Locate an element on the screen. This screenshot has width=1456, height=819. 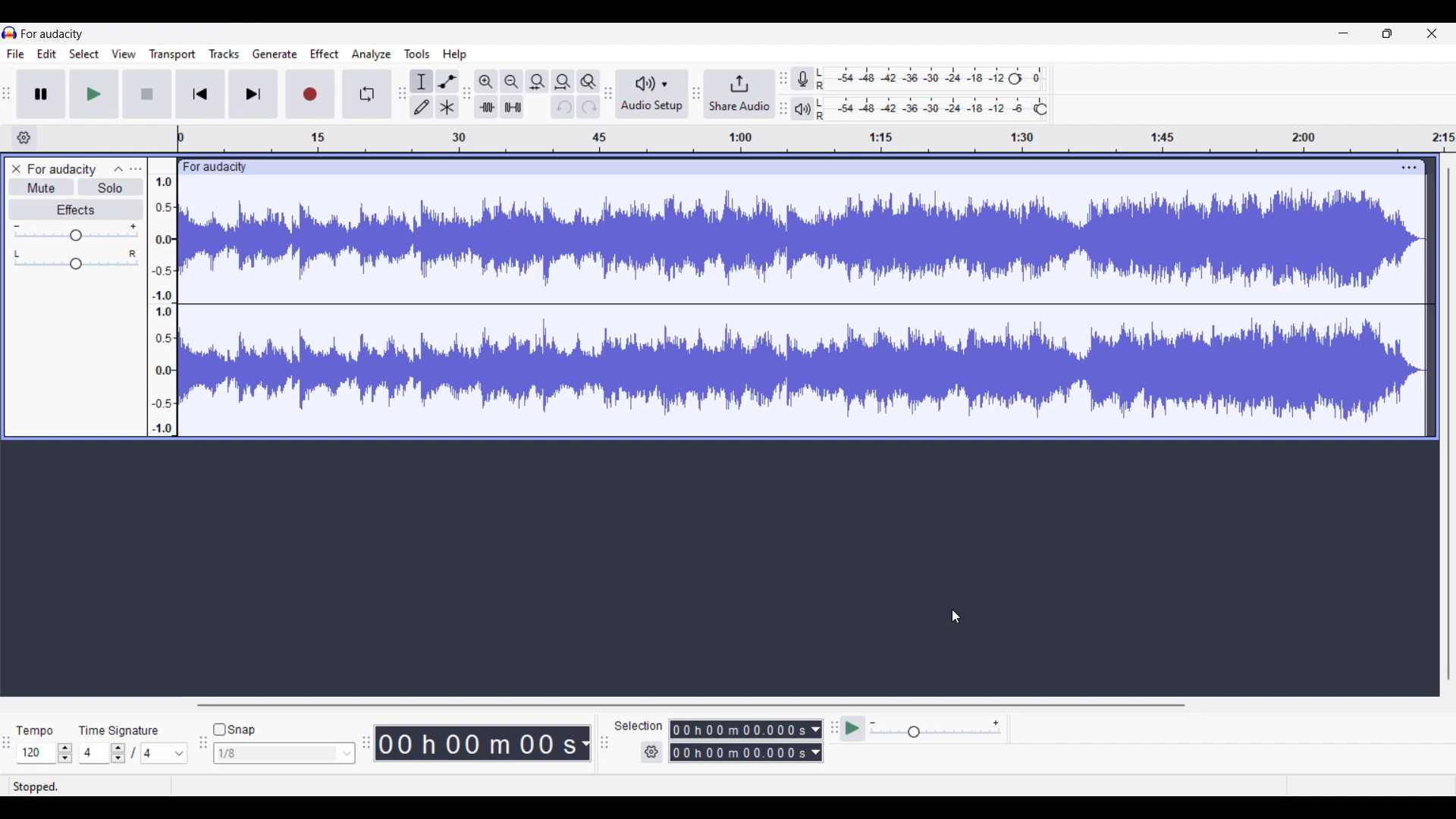
Stop is located at coordinates (146, 94).